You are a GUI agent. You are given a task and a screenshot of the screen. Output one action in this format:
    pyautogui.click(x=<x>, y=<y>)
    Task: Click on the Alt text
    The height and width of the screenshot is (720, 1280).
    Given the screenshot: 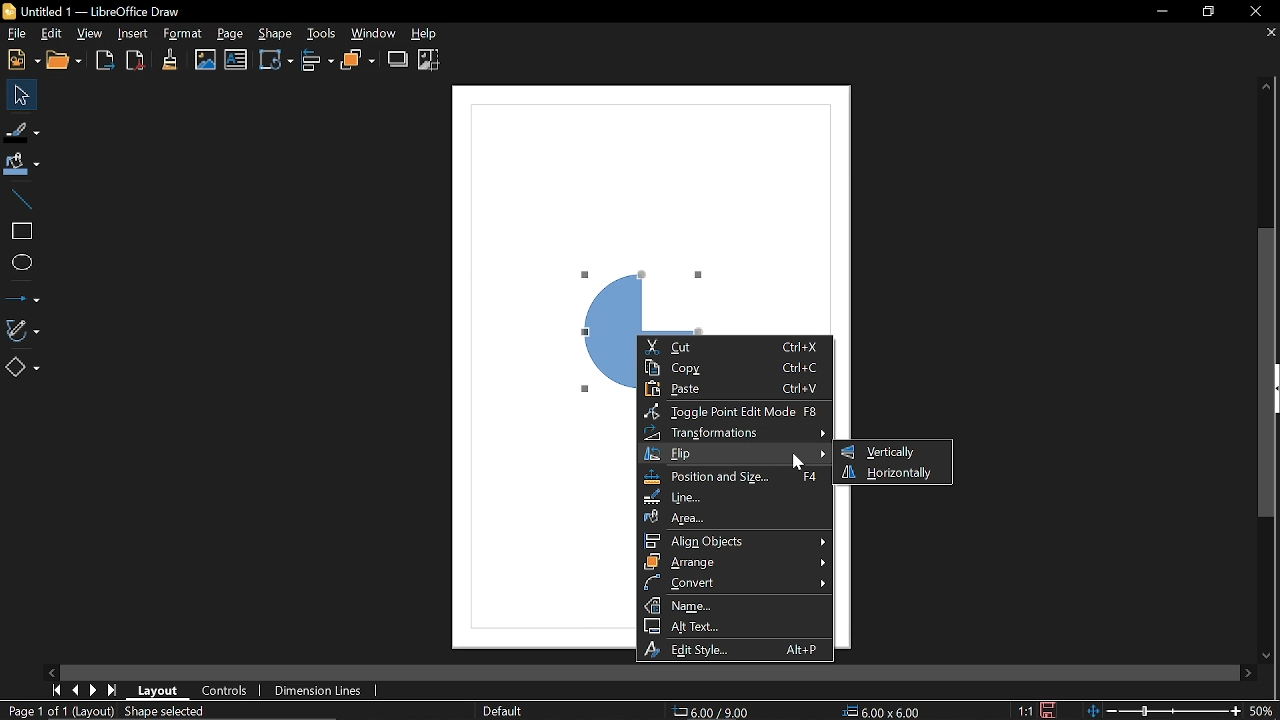 What is the action you would take?
    pyautogui.click(x=734, y=626)
    